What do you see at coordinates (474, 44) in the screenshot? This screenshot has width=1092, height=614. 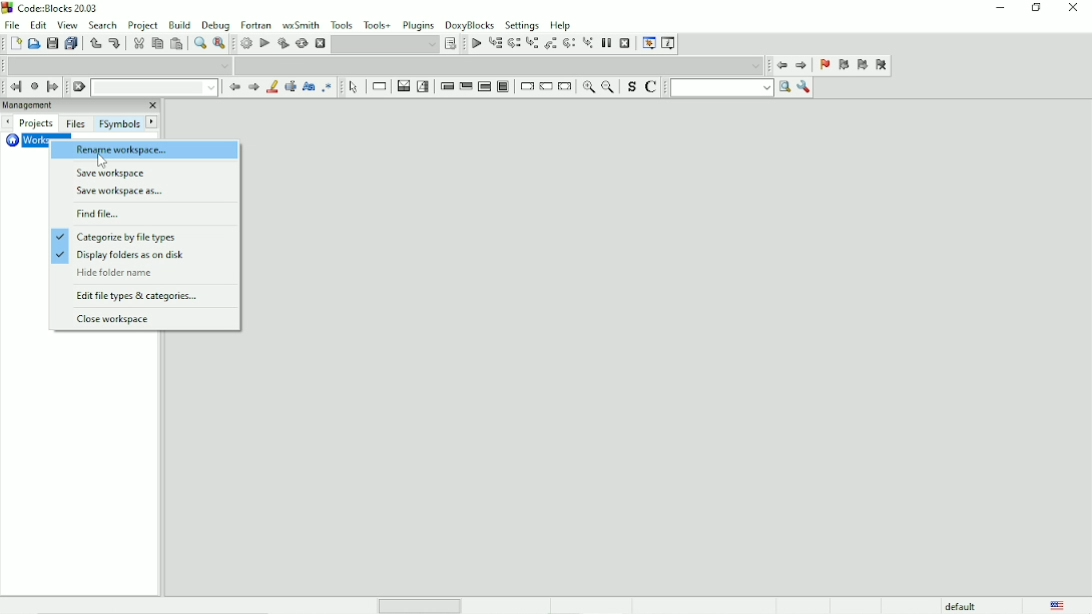 I see `Debug/Continue` at bounding box center [474, 44].